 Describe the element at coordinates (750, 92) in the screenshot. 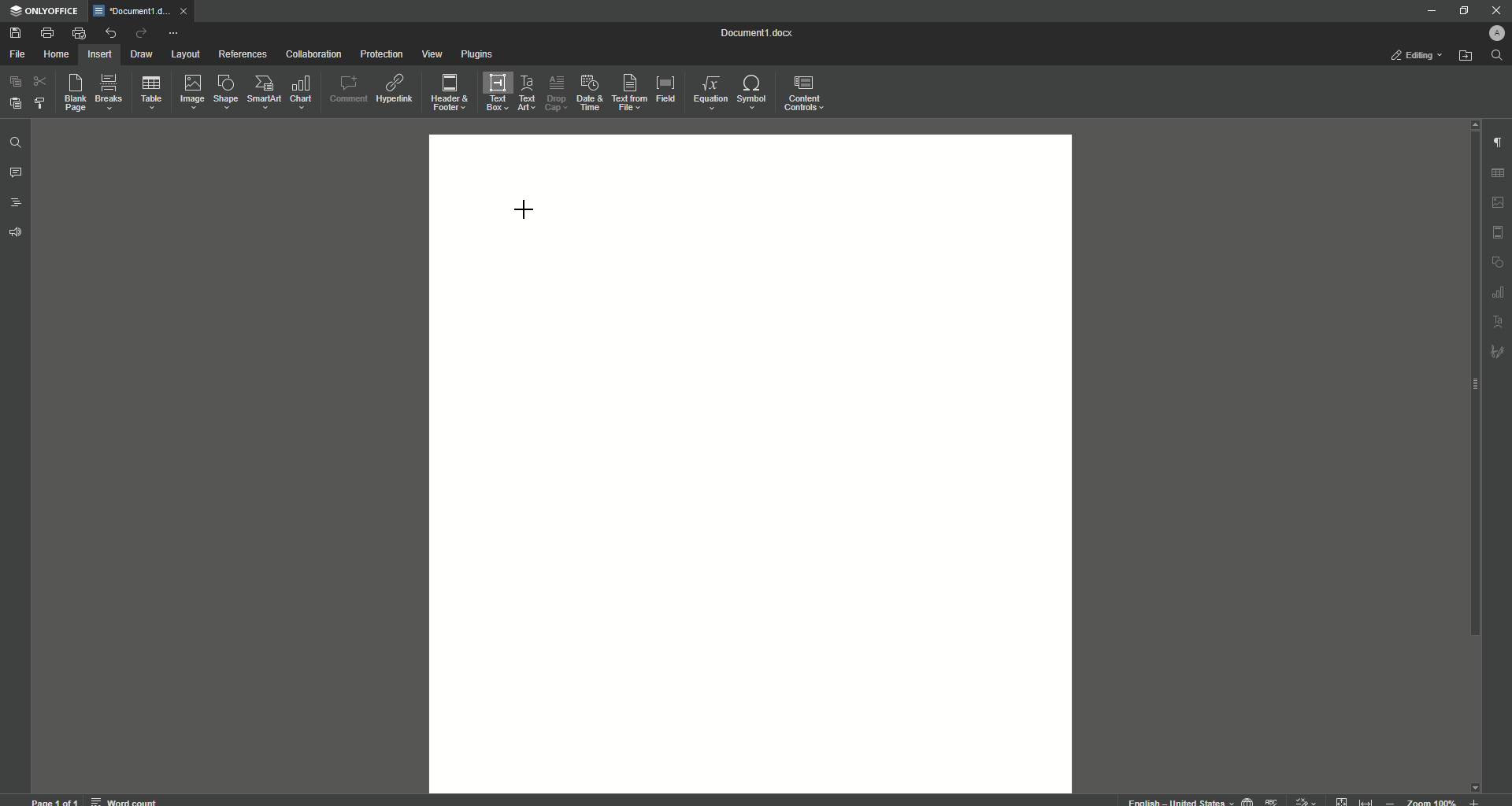

I see `Symbols` at that location.